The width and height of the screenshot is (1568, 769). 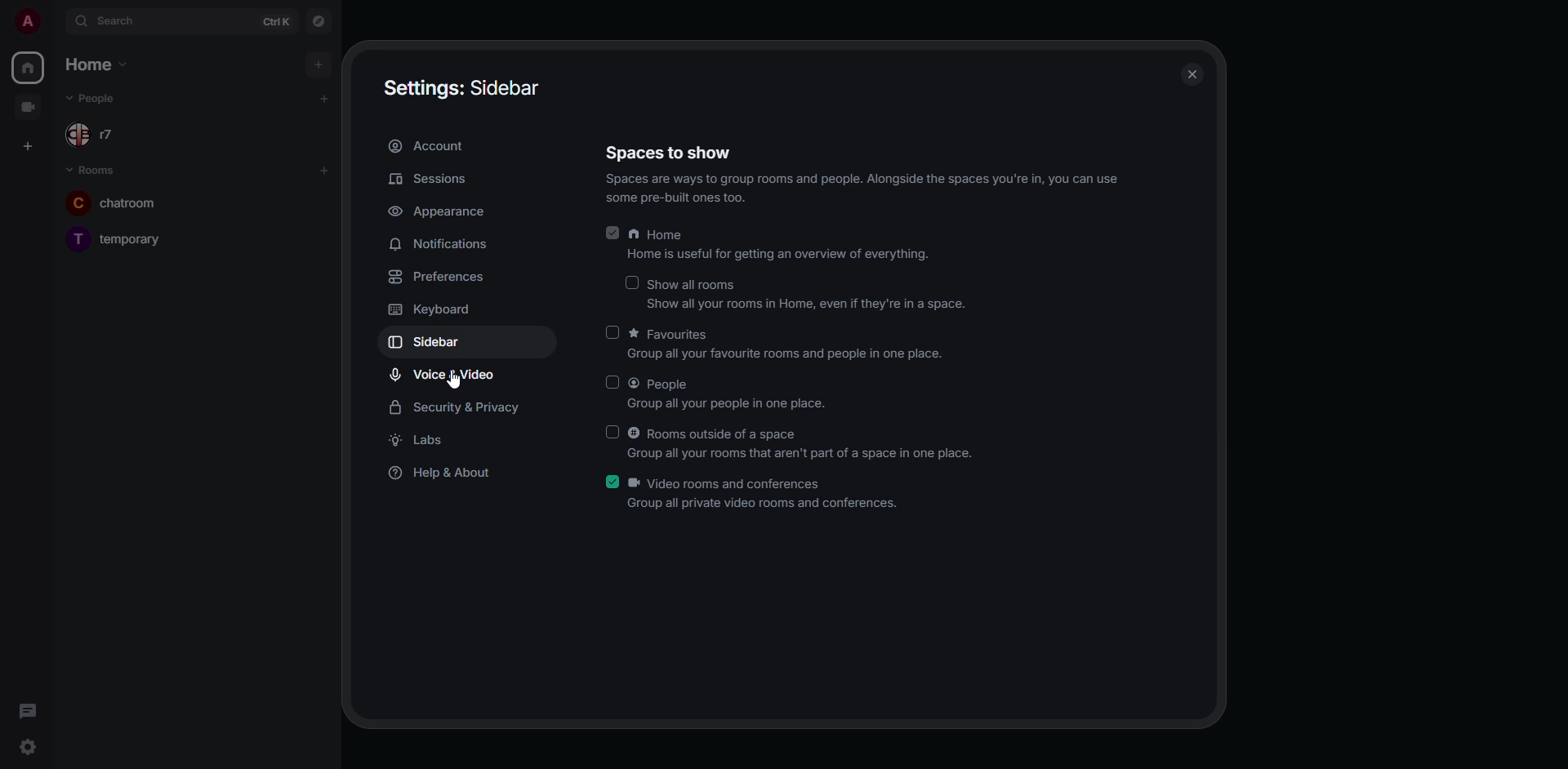 I want to click on people, so click(x=100, y=98).